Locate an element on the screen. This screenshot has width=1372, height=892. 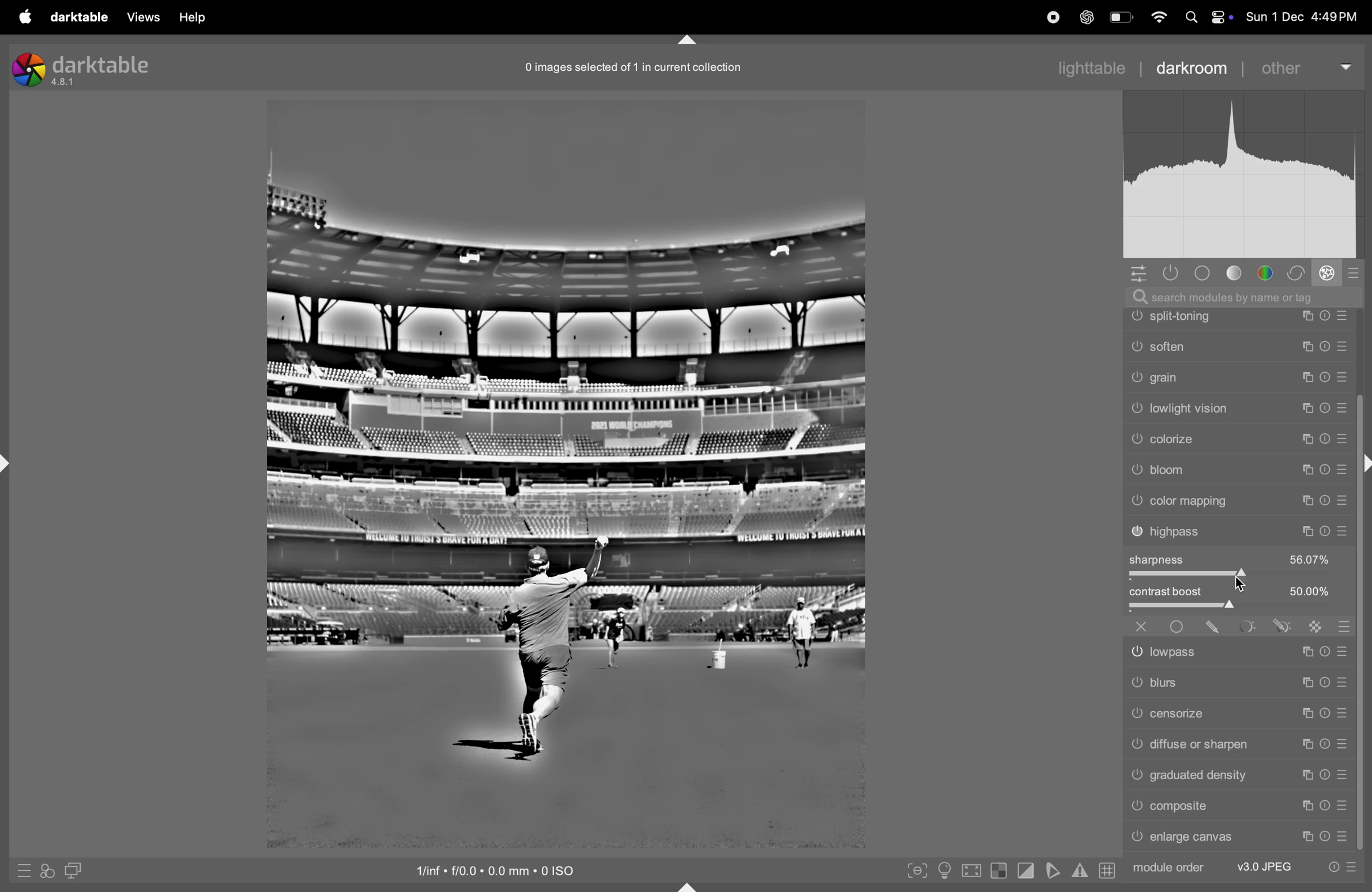
cencorize is located at coordinates (1237, 713).